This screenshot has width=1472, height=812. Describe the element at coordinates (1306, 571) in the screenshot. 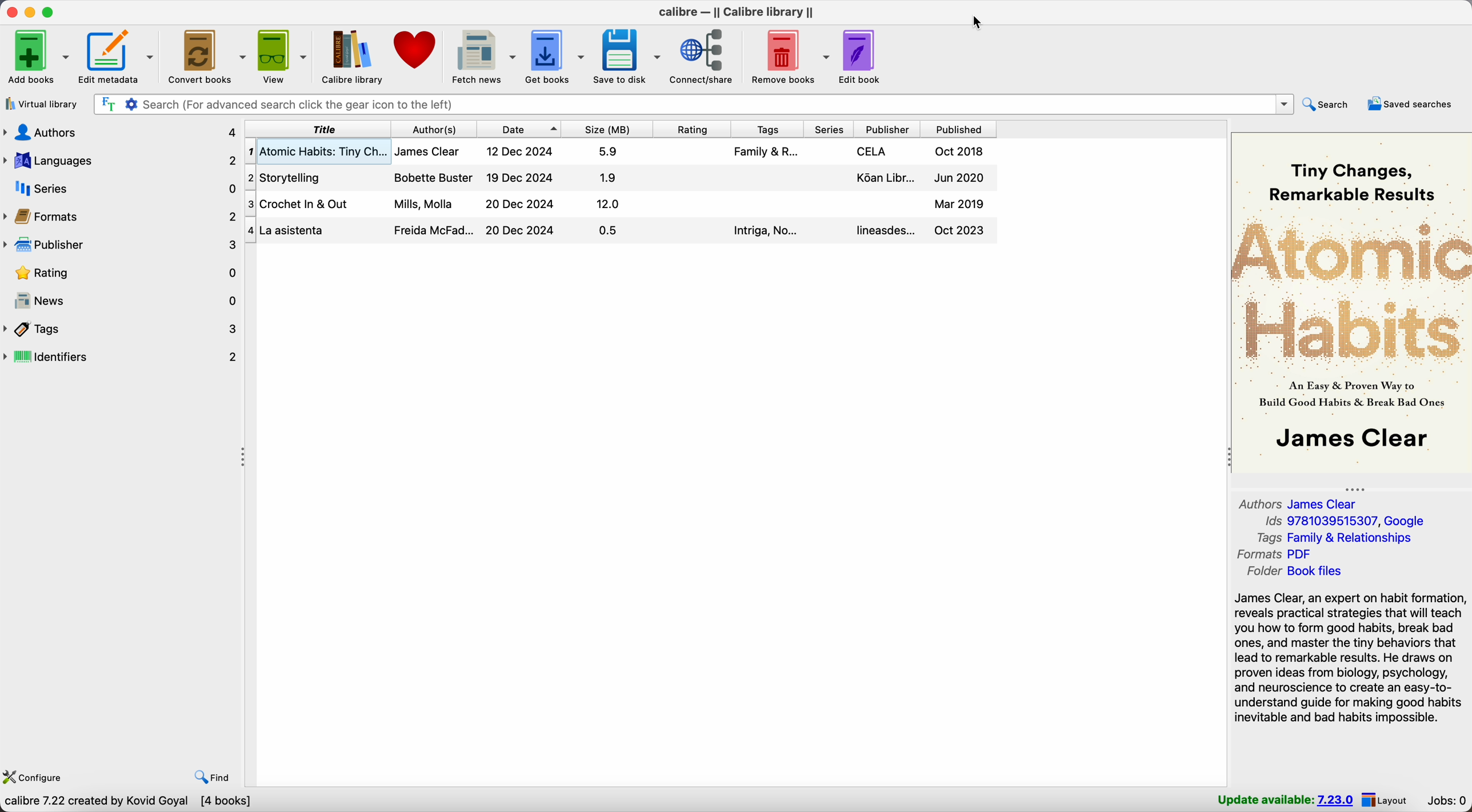

I see `folder Book files` at that location.